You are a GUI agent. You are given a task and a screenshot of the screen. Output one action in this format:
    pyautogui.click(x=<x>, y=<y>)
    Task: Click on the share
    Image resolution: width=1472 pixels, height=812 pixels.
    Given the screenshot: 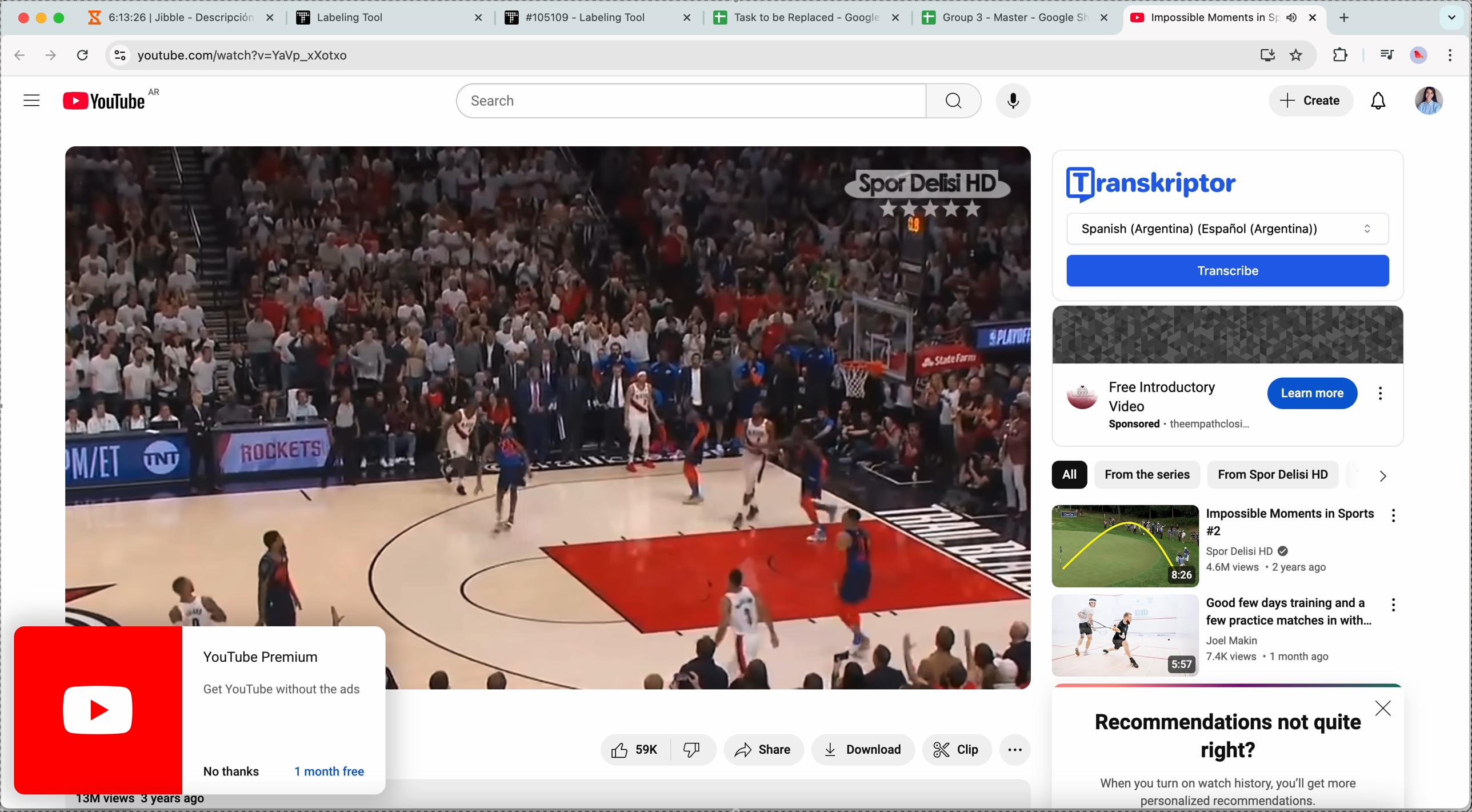 What is the action you would take?
    pyautogui.click(x=763, y=750)
    